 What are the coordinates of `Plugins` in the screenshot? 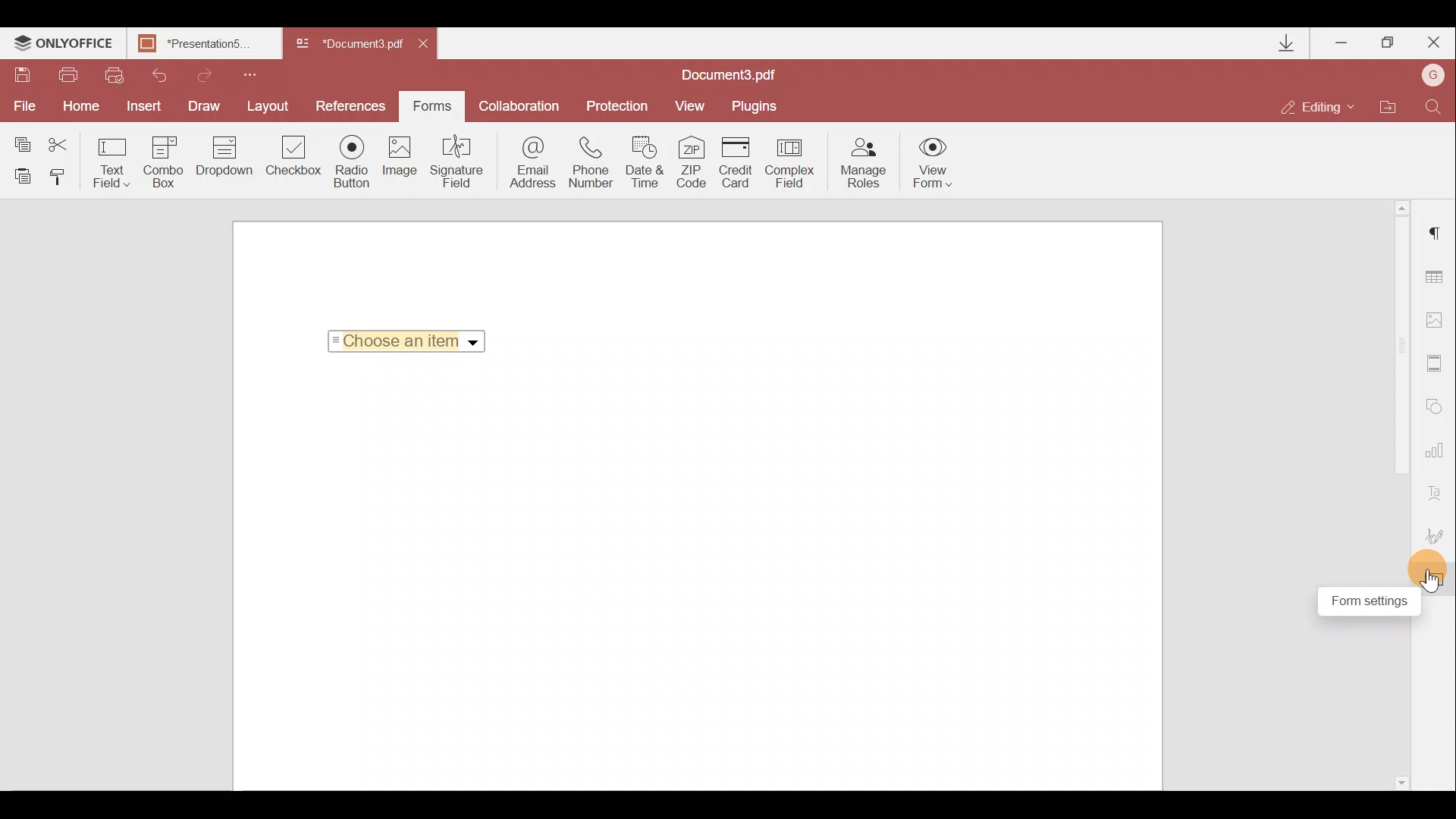 It's located at (757, 104).